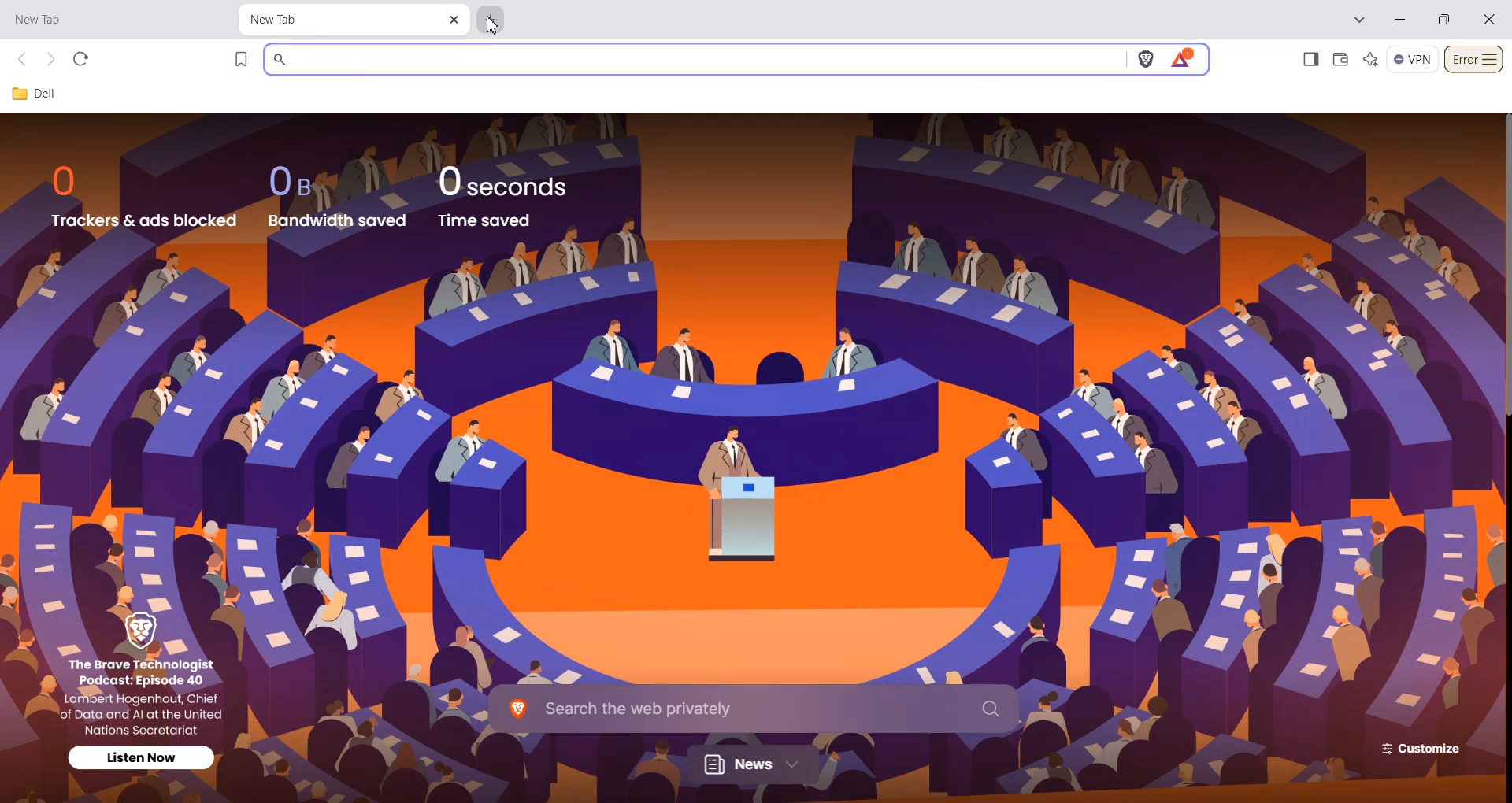  I want to click on OB, so click(301, 181).